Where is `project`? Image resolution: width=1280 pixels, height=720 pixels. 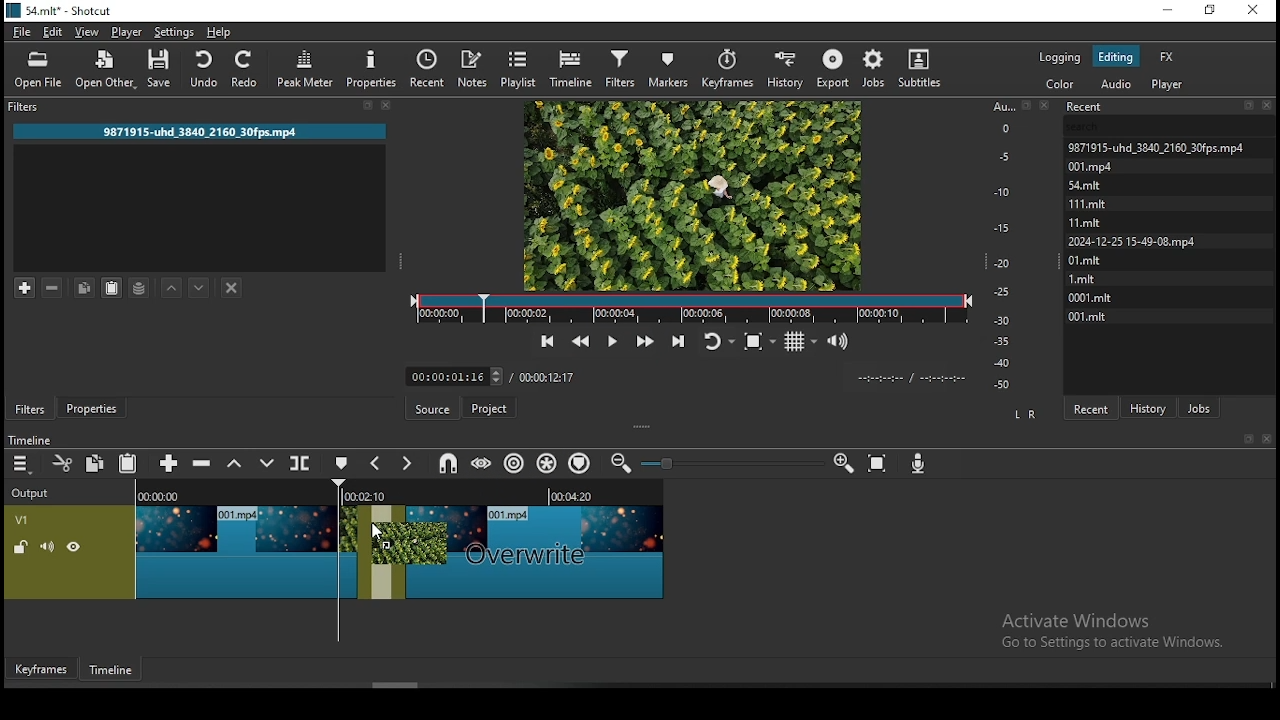
project is located at coordinates (488, 410).